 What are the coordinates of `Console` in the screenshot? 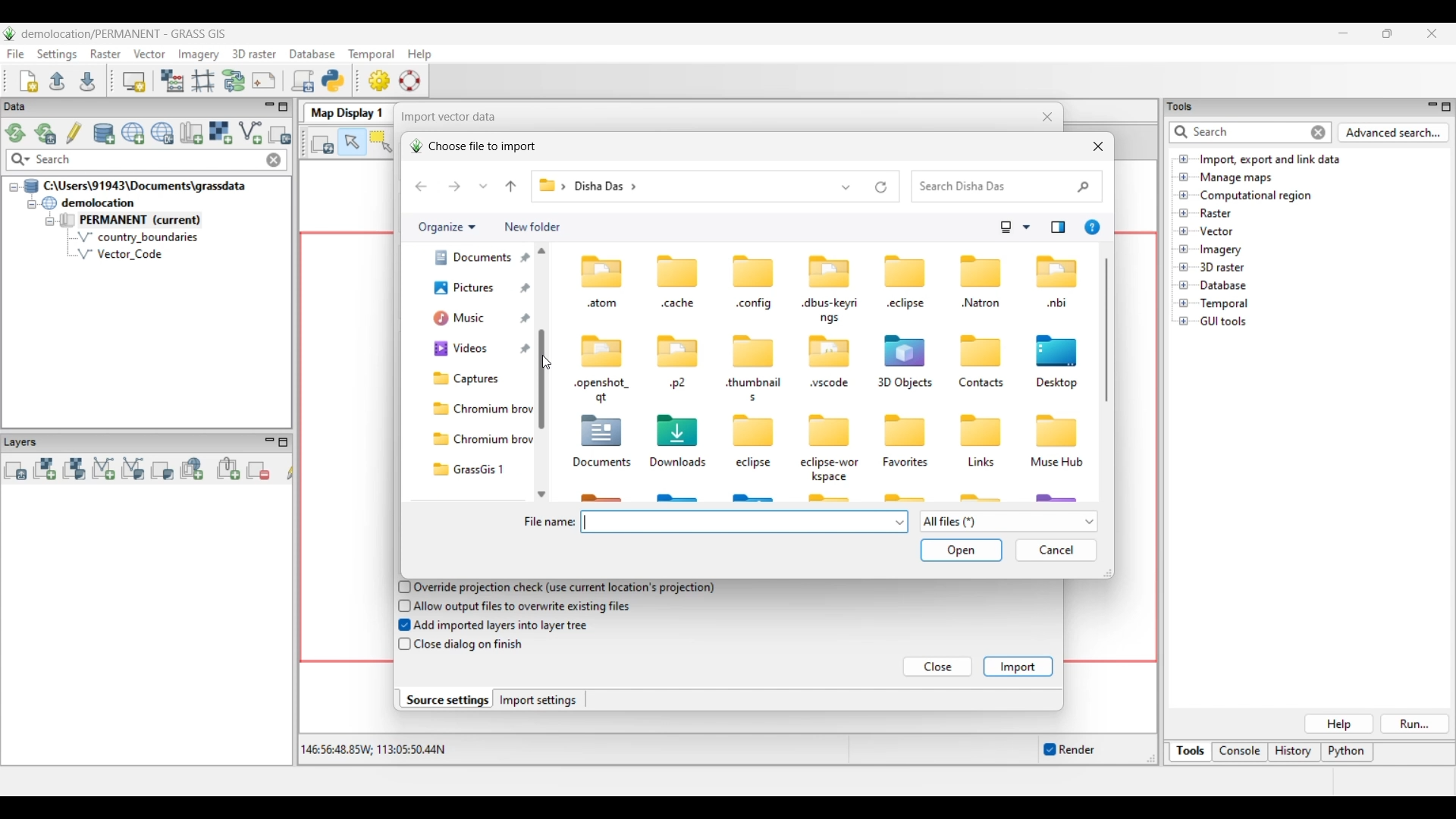 It's located at (1240, 753).